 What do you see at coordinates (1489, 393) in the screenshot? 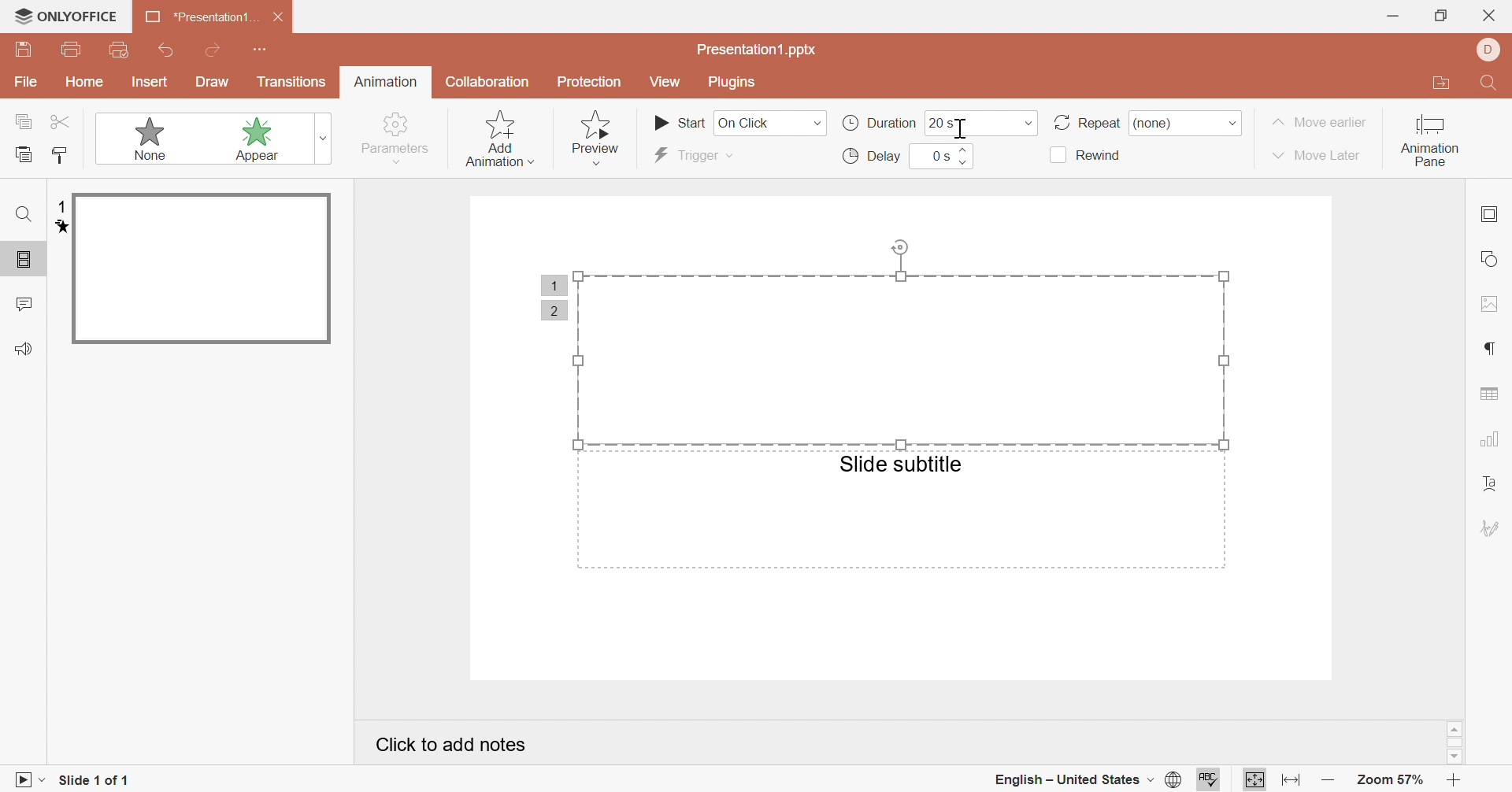
I see `table settings` at bounding box center [1489, 393].